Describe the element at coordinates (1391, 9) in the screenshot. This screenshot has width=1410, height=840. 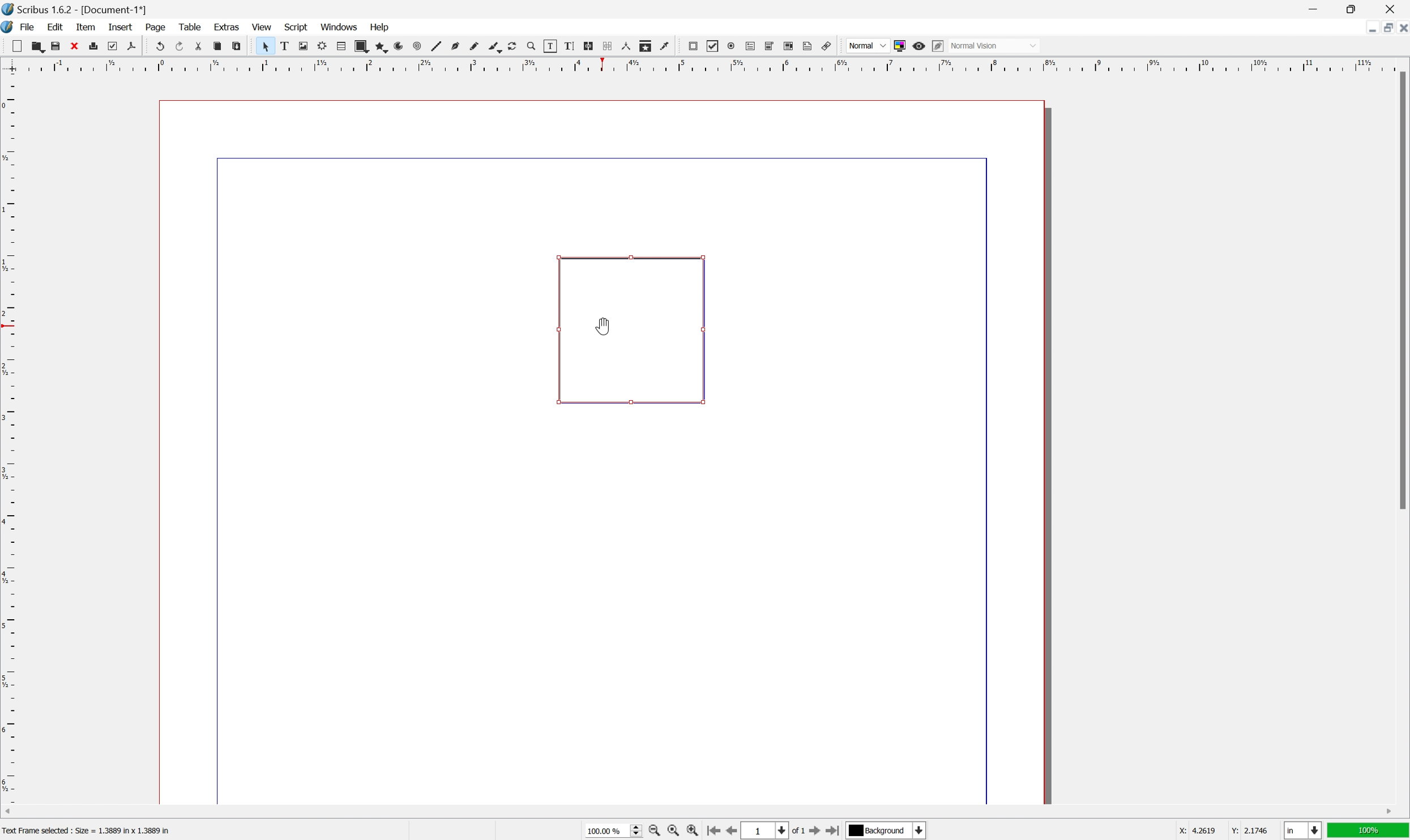
I see `close` at that location.